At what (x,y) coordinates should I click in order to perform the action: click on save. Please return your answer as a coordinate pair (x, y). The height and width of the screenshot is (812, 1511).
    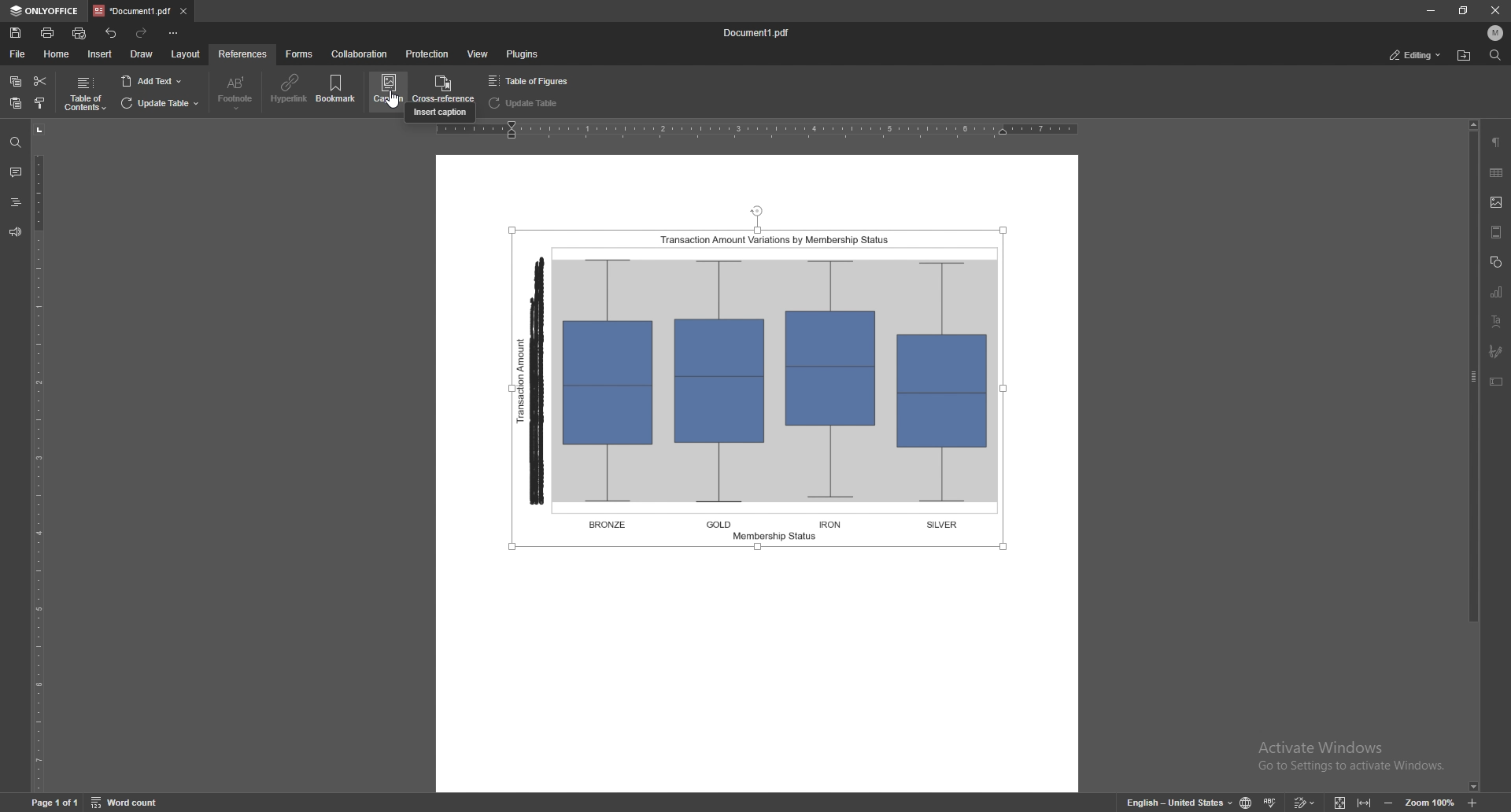
    Looking at the image, I should click on (17, 33).